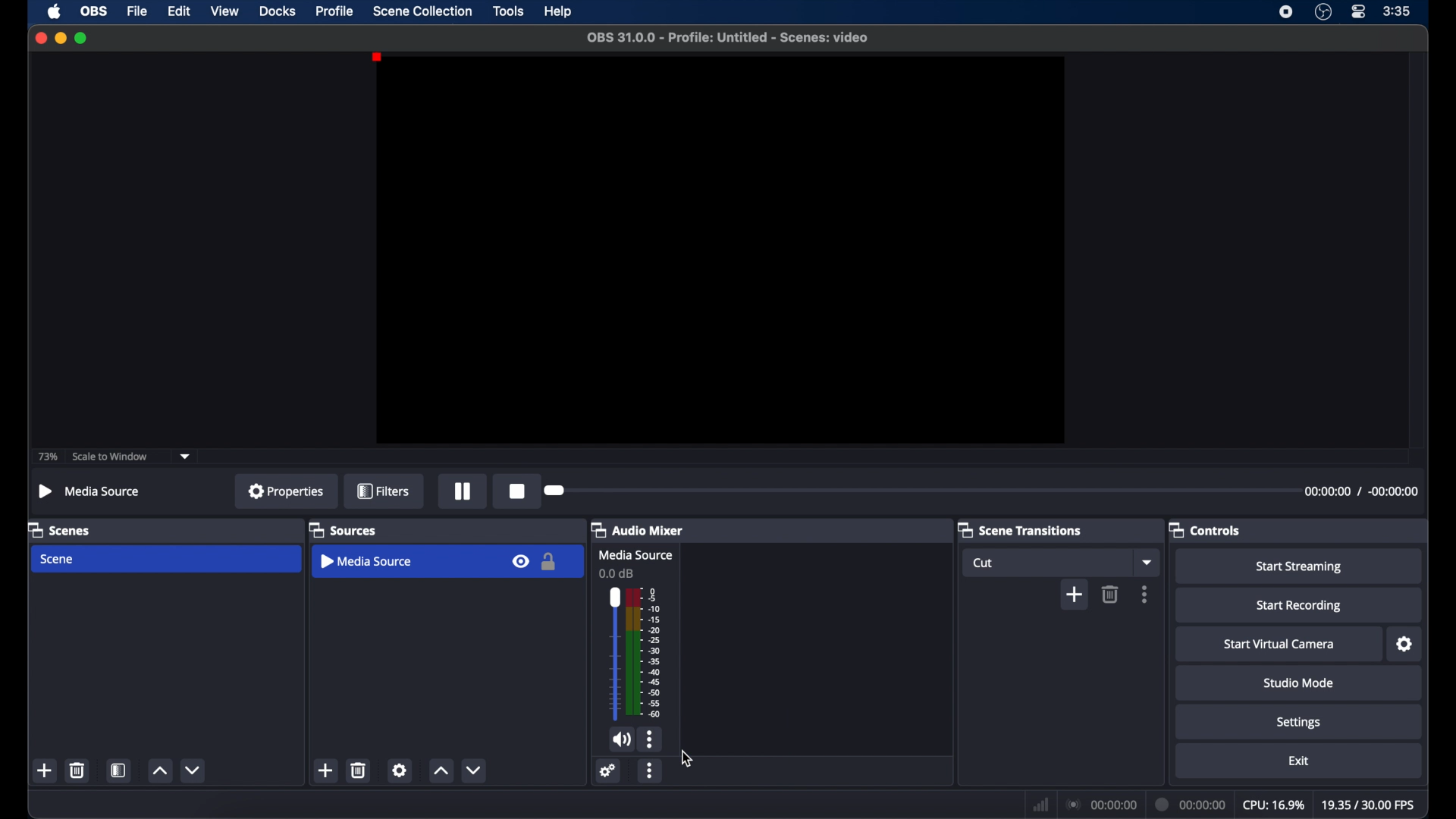  Describe the element at coordinates (1191, 804) in the screenshot. I see `duration` at that location.